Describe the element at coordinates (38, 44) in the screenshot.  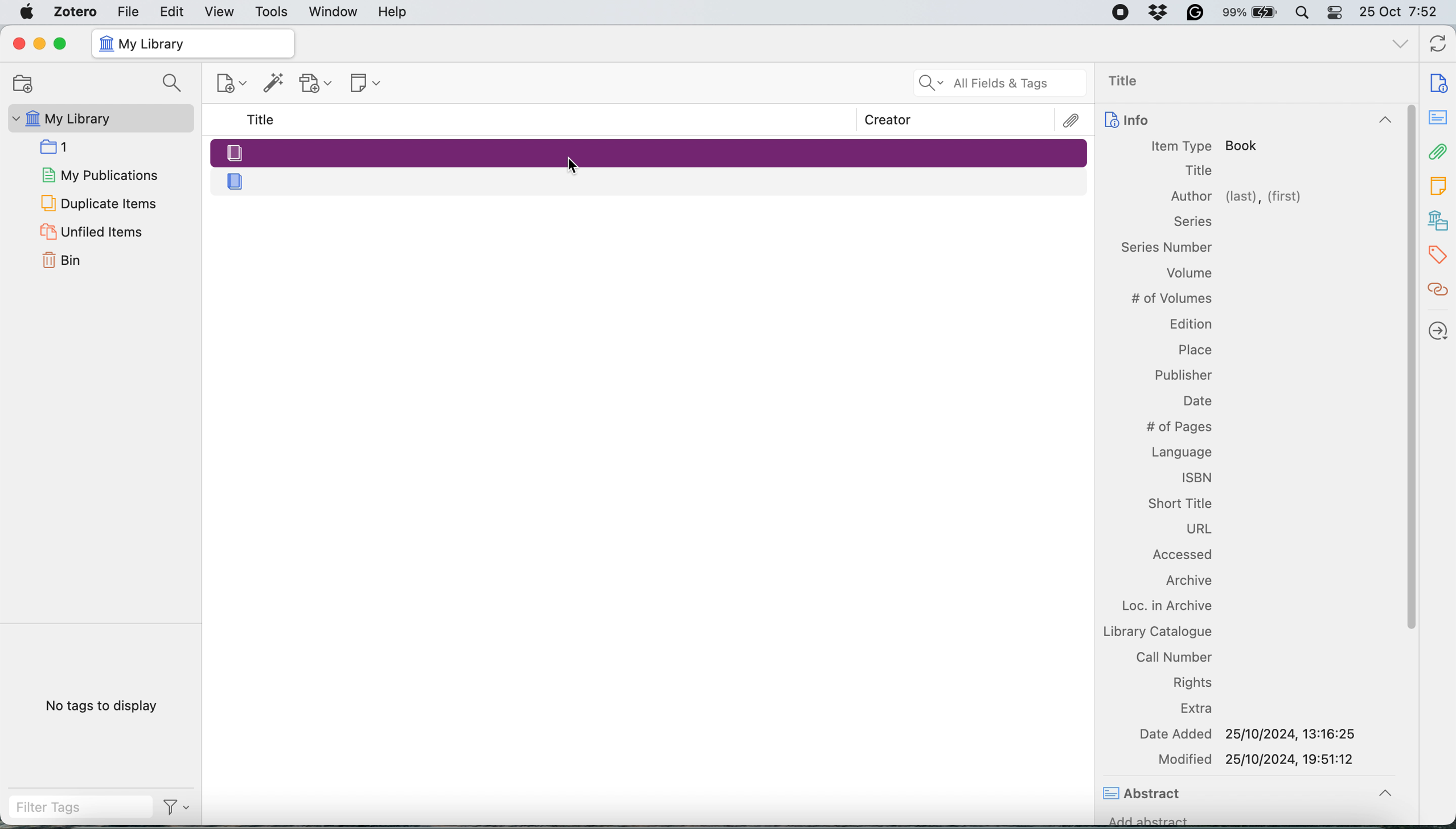
I see `Minimize` at that location.